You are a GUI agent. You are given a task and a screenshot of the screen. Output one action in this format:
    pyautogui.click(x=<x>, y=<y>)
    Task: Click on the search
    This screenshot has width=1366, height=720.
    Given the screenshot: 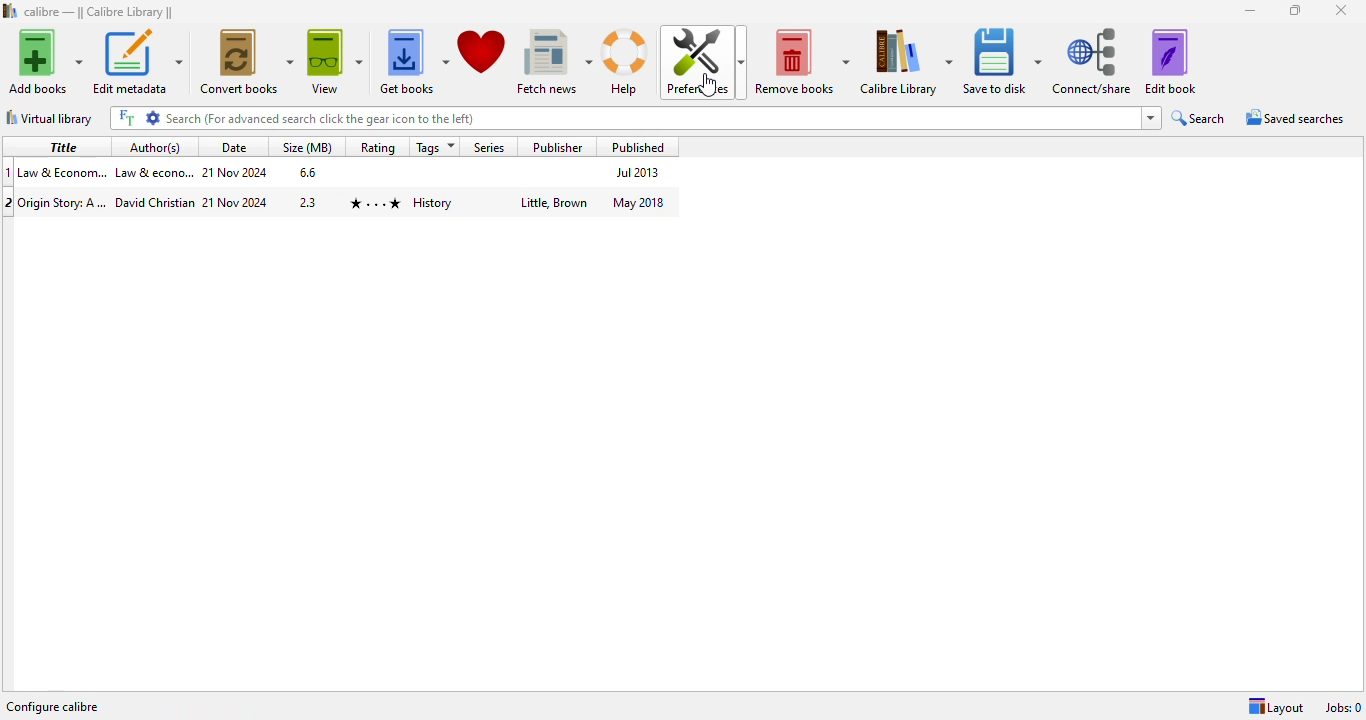 What is the action you would take?
    pyautogui.click(x=1199, y=117)
    